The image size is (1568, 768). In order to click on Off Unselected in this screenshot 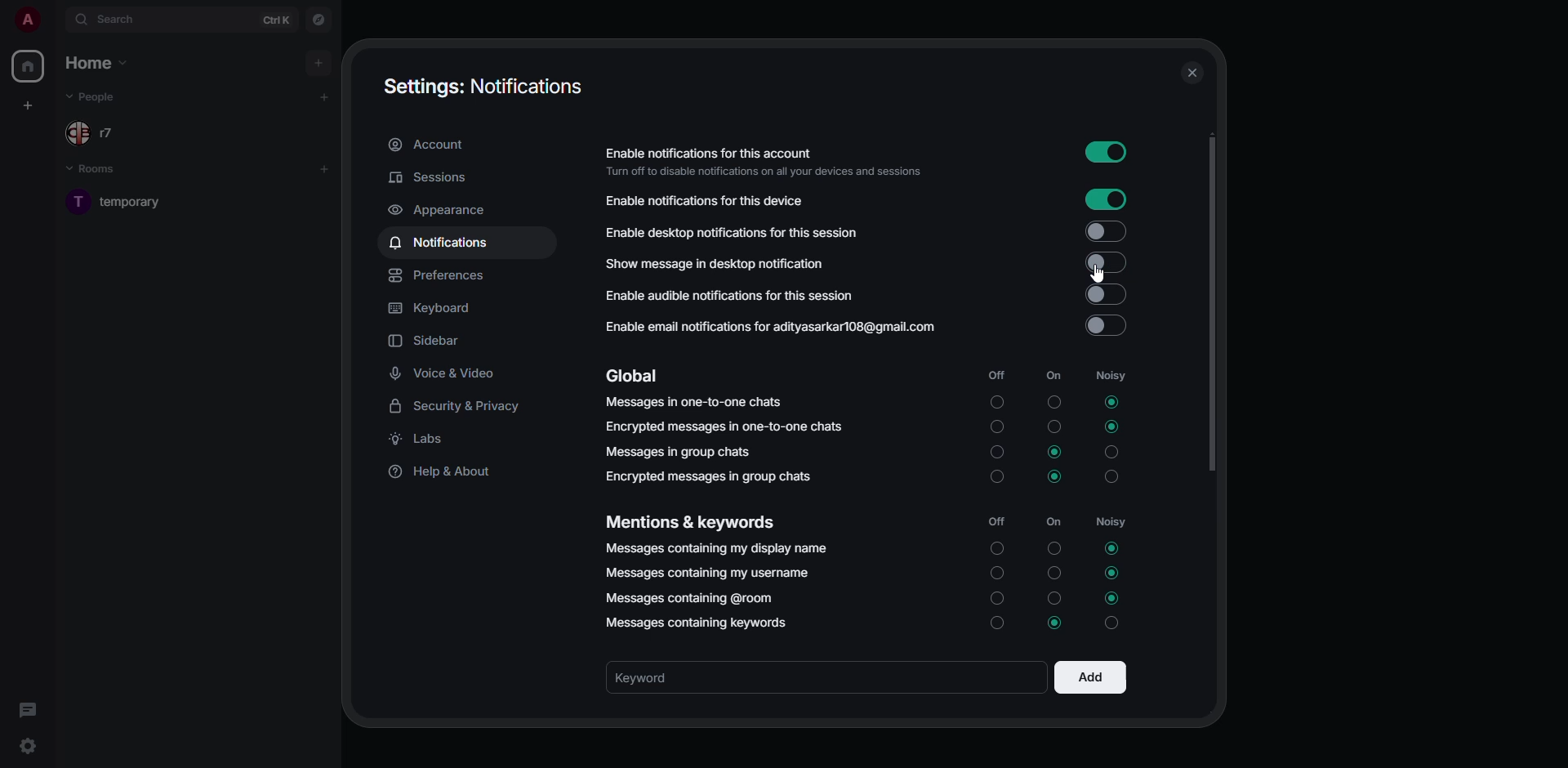, I will do `click(996, 623)`.